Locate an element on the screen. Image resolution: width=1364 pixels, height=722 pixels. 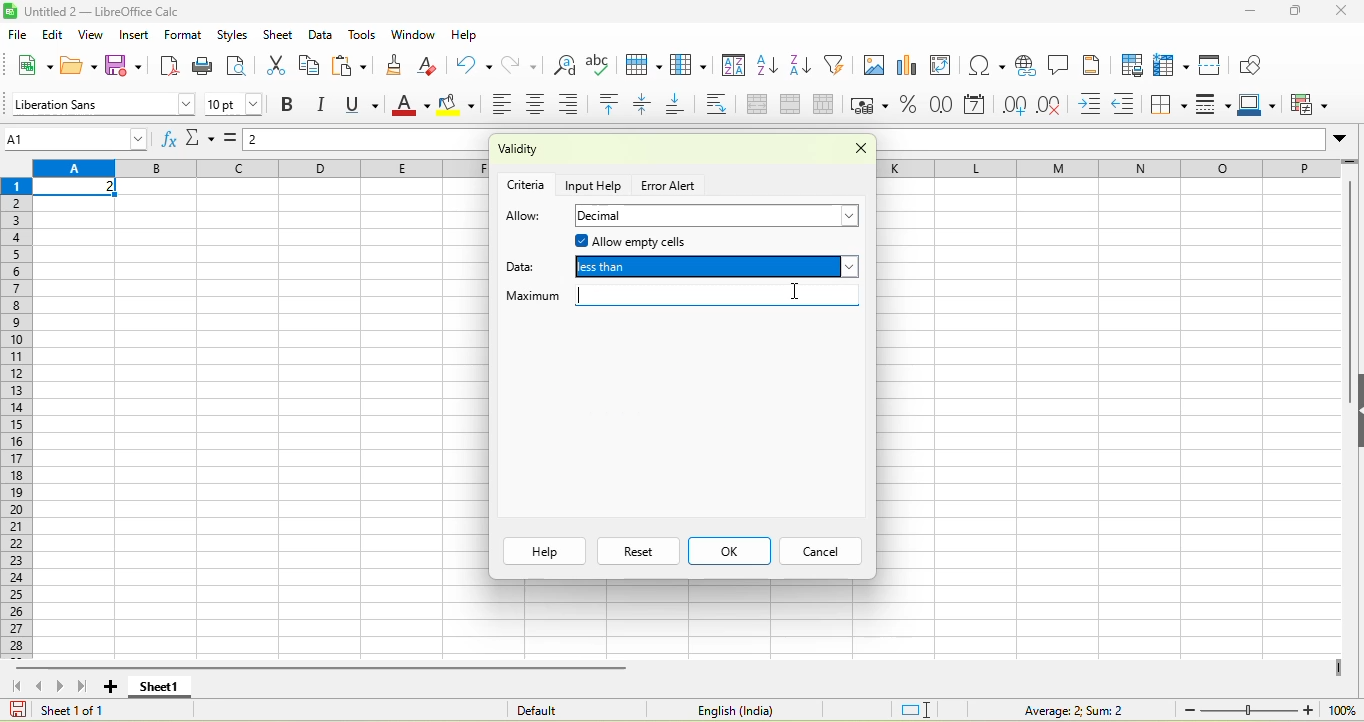
standard selection is located at coordinates (917, 708).